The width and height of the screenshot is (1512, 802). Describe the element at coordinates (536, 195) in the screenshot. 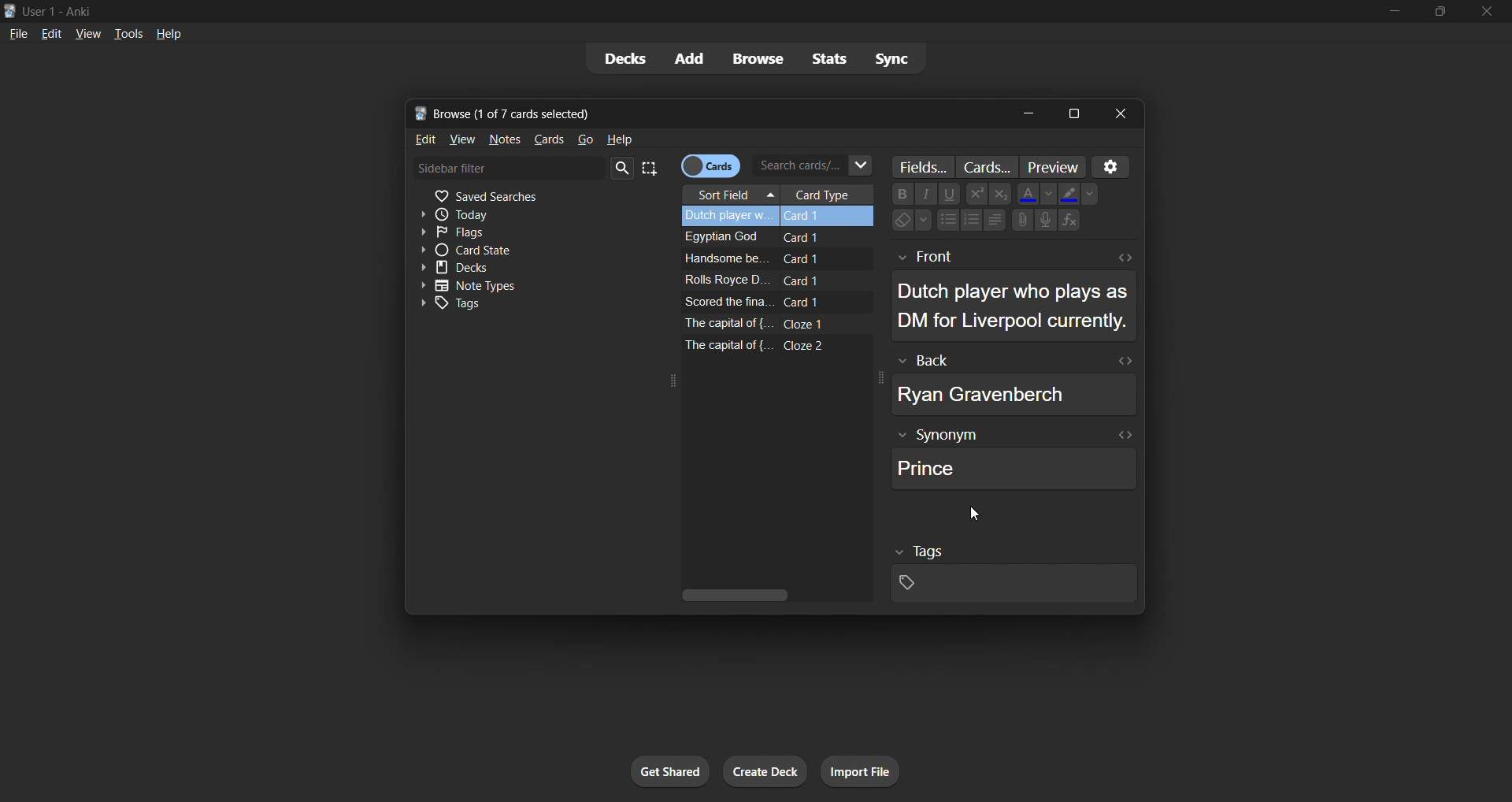

I see `saved searches` at that location.